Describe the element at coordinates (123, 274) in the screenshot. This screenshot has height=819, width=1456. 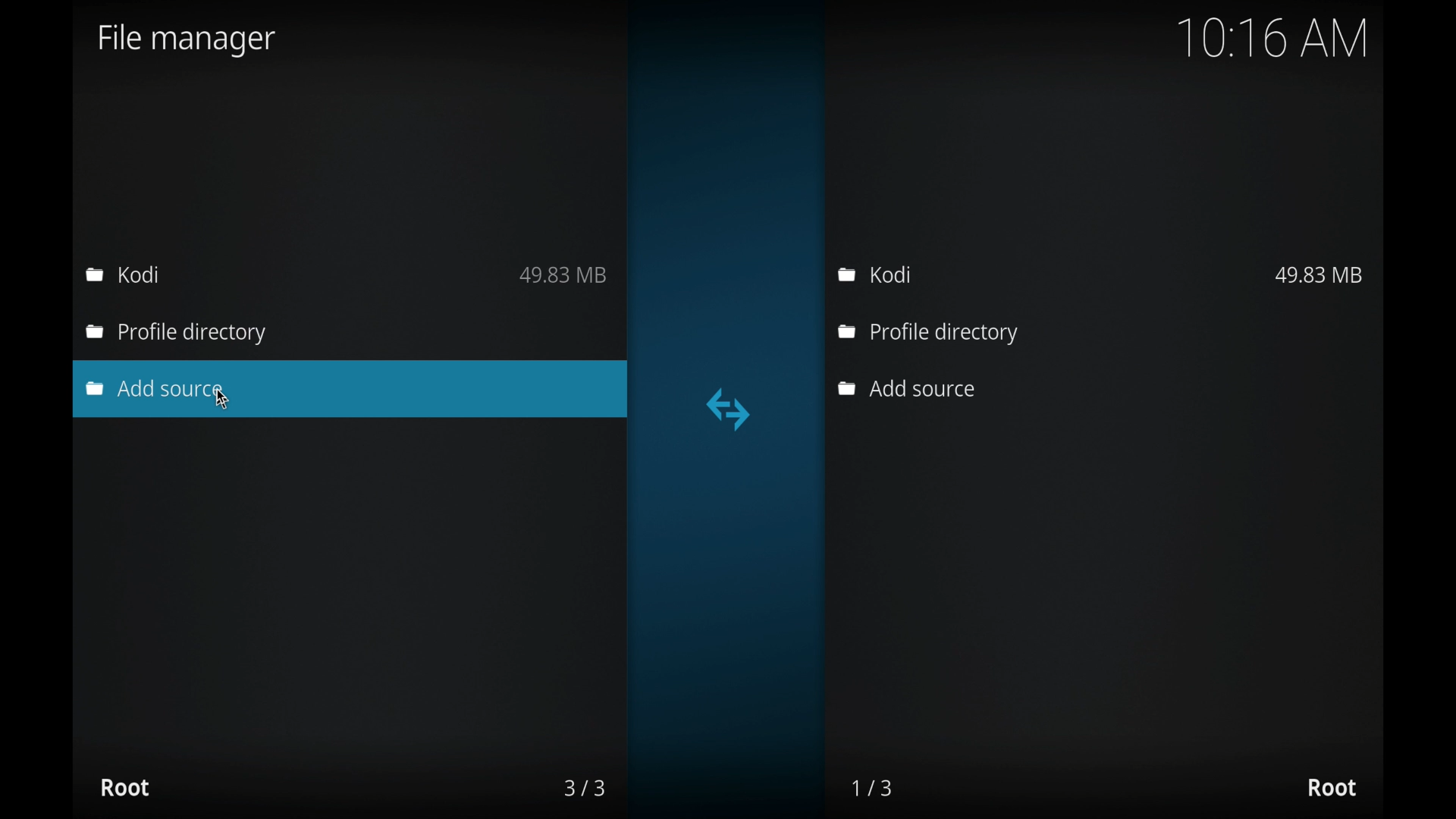
I see `kodi` at that location.